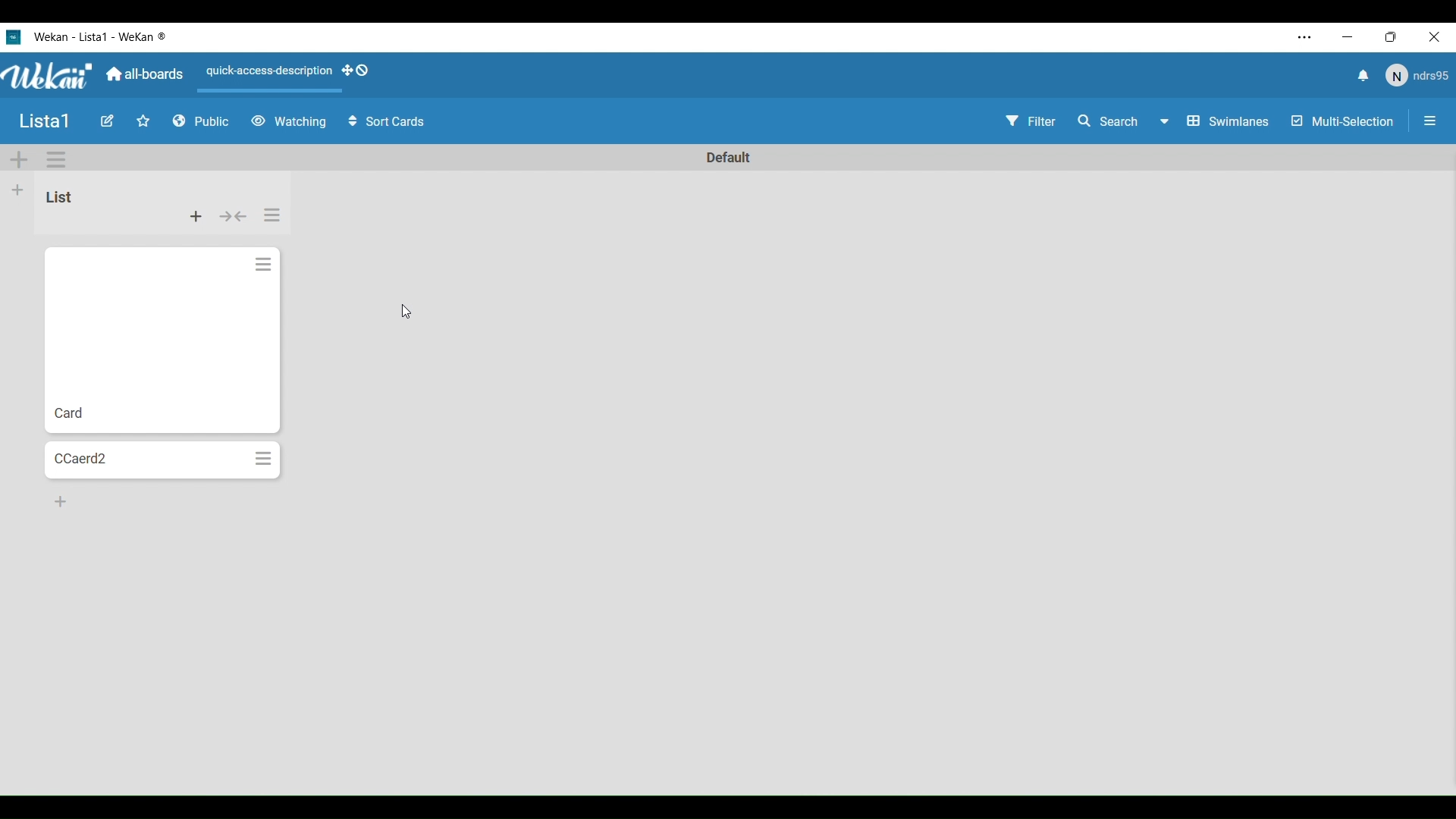 The image size is (1456, 819). Describe the element at coordinates (19, 160) in the screenshot. I see `Add` at that location.